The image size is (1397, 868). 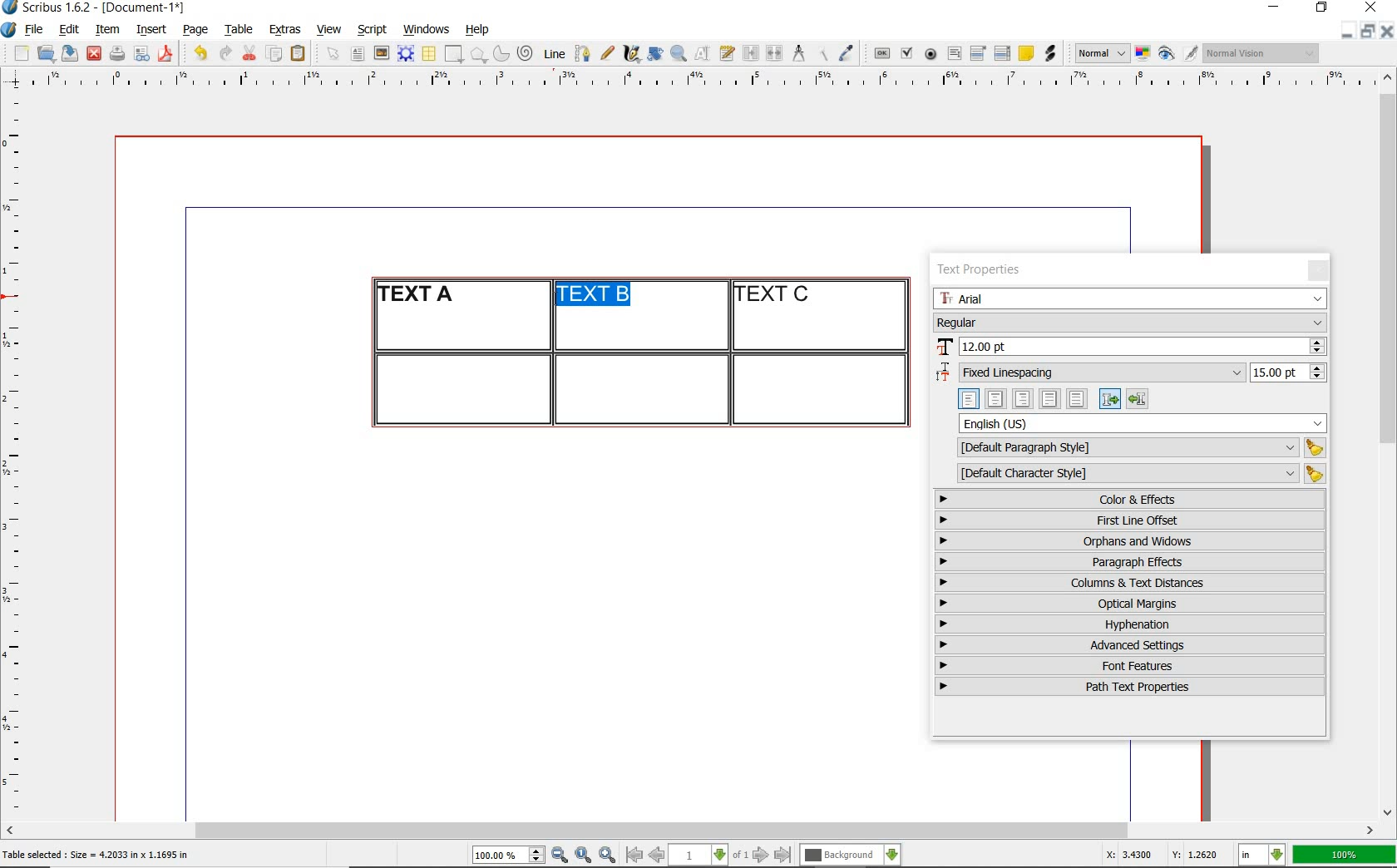 What do you see at coordinates (822, 53) in the screenshot?
I see `copy item properties` at bounding box center [822, 53].